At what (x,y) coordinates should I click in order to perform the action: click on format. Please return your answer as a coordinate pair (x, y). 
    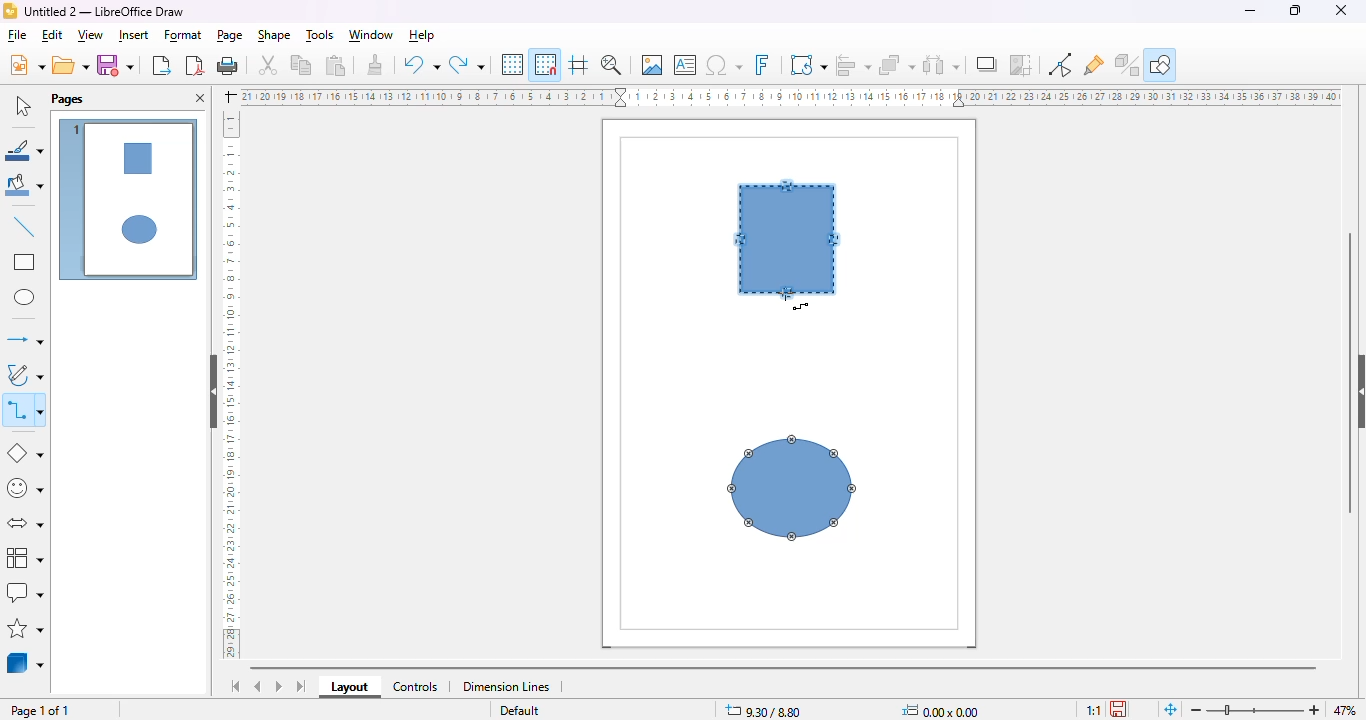
    Looking at the image, I should click on (184, 35).